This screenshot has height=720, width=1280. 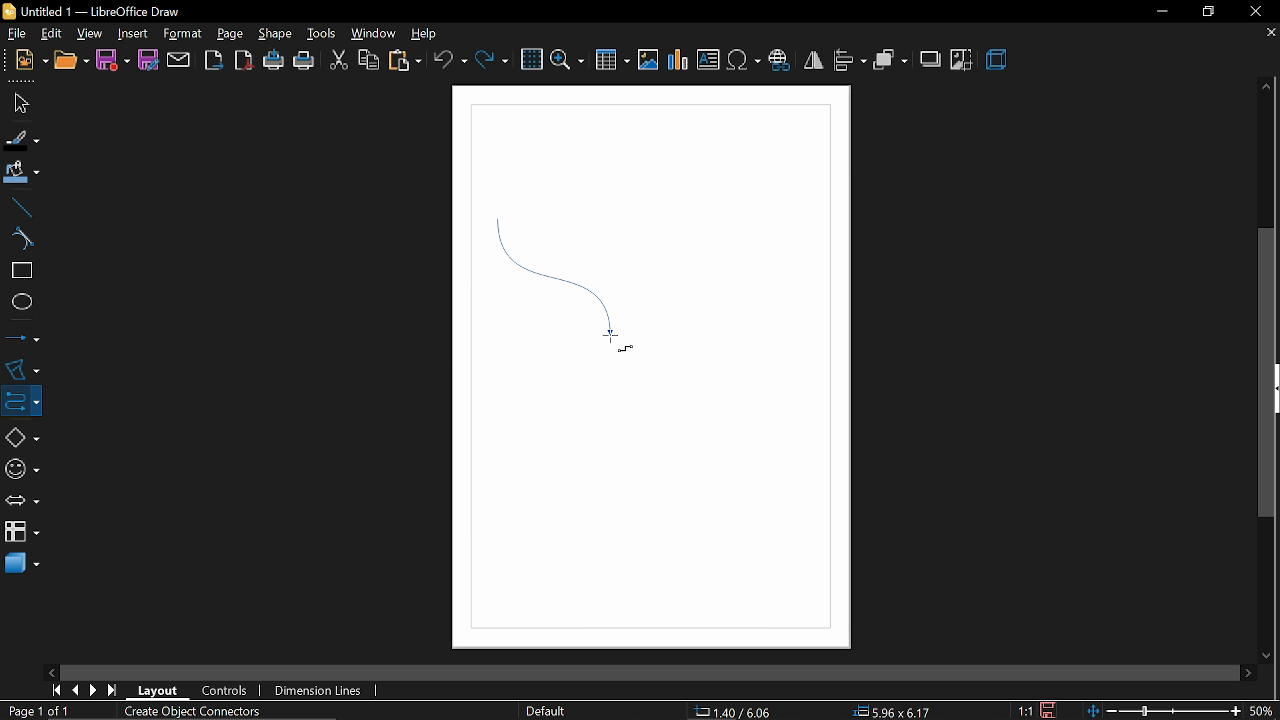 What do you see at coordinates (131, 32) in the screenshot?
I see `Insert` at bounding box center [131, 32].